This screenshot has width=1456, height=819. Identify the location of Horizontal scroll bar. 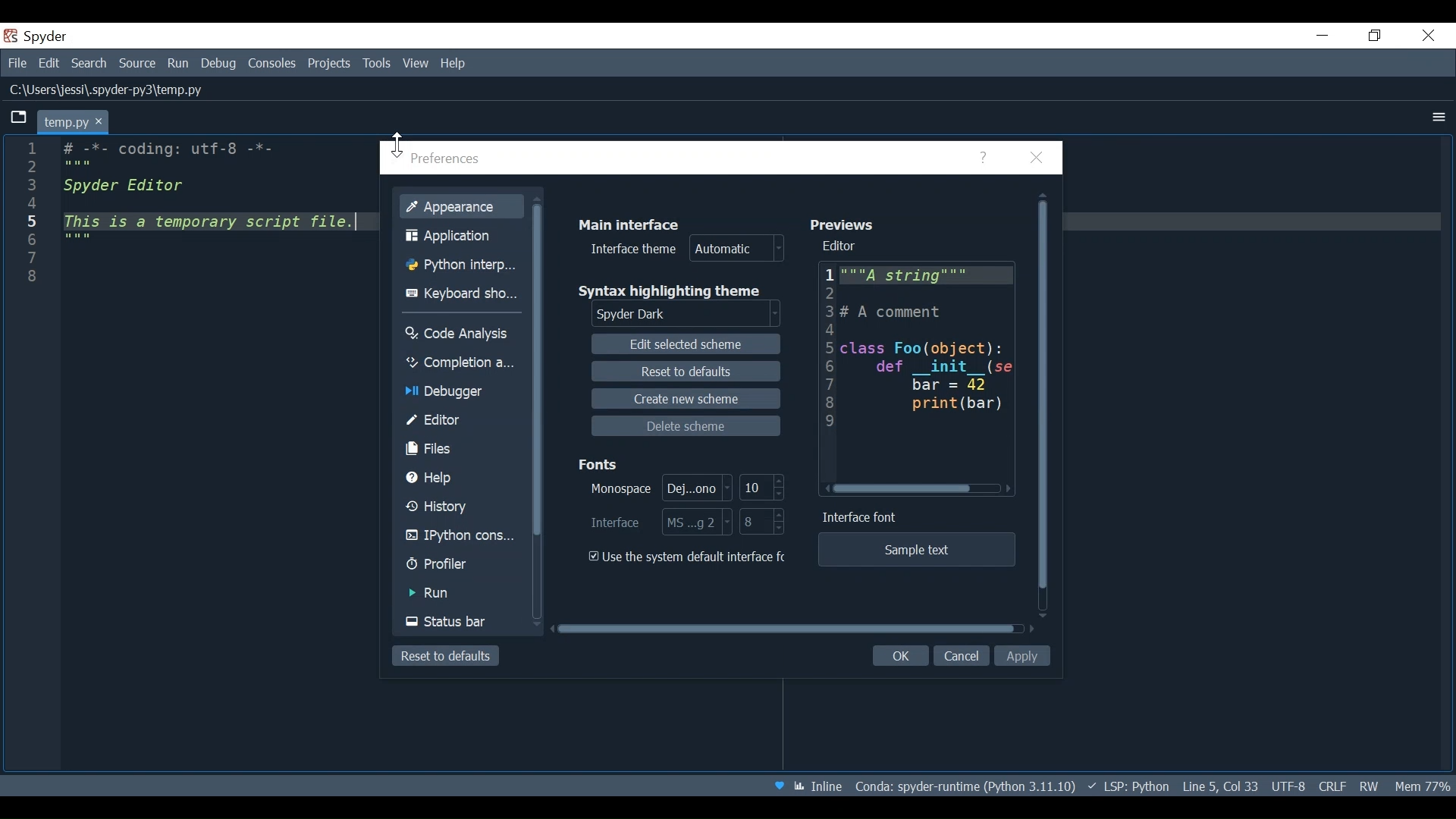
(904, 490).